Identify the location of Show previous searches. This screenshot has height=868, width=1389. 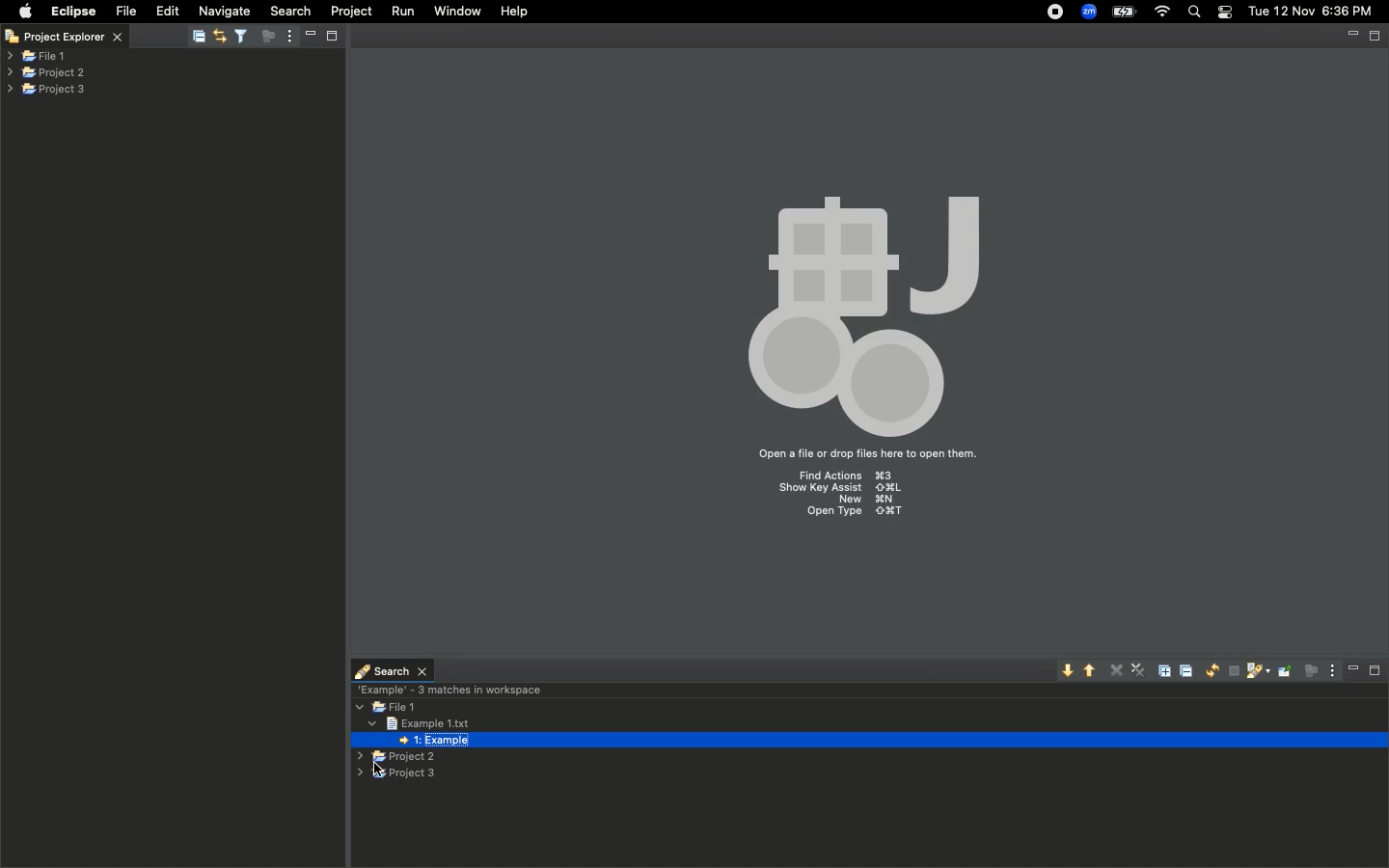
(1256, 671).